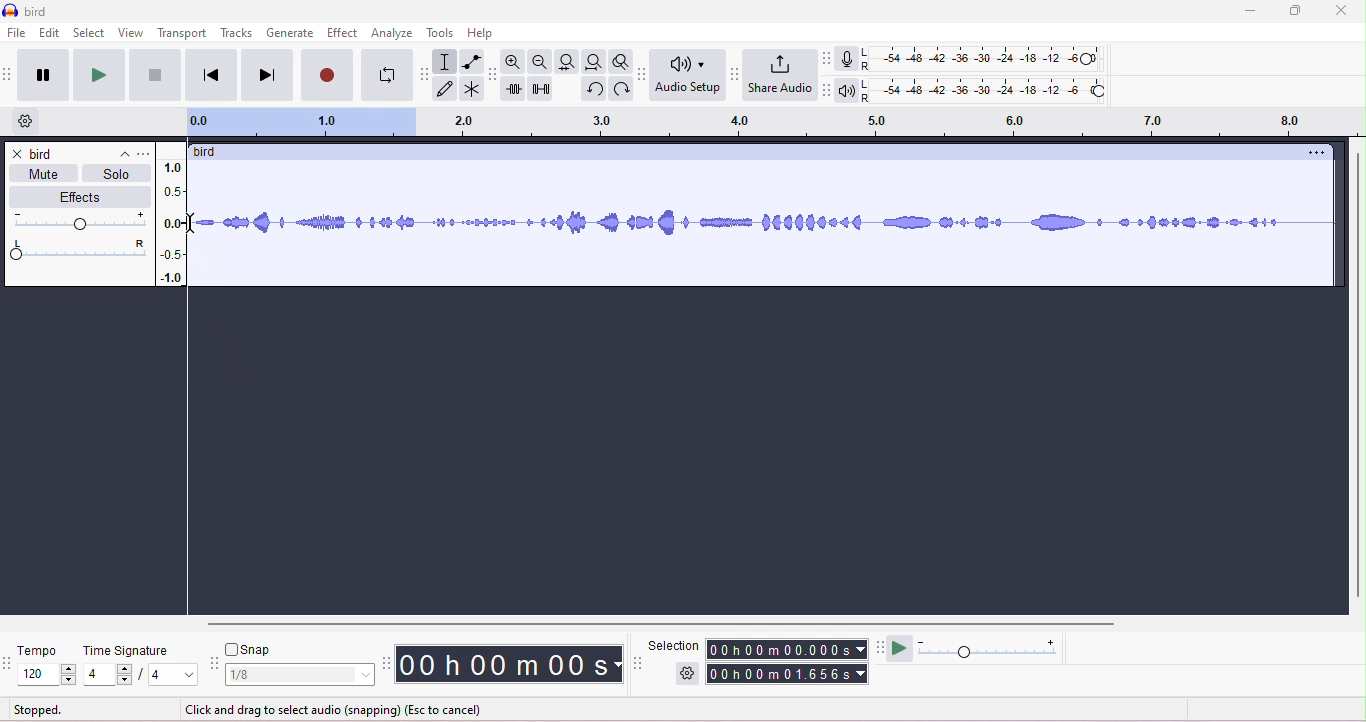 This screenshot has width=1366, height=722. What do you see at coordinates (214, 663) in the screenshot?
I see `snap tool bar` at bounding box center [214, 663].